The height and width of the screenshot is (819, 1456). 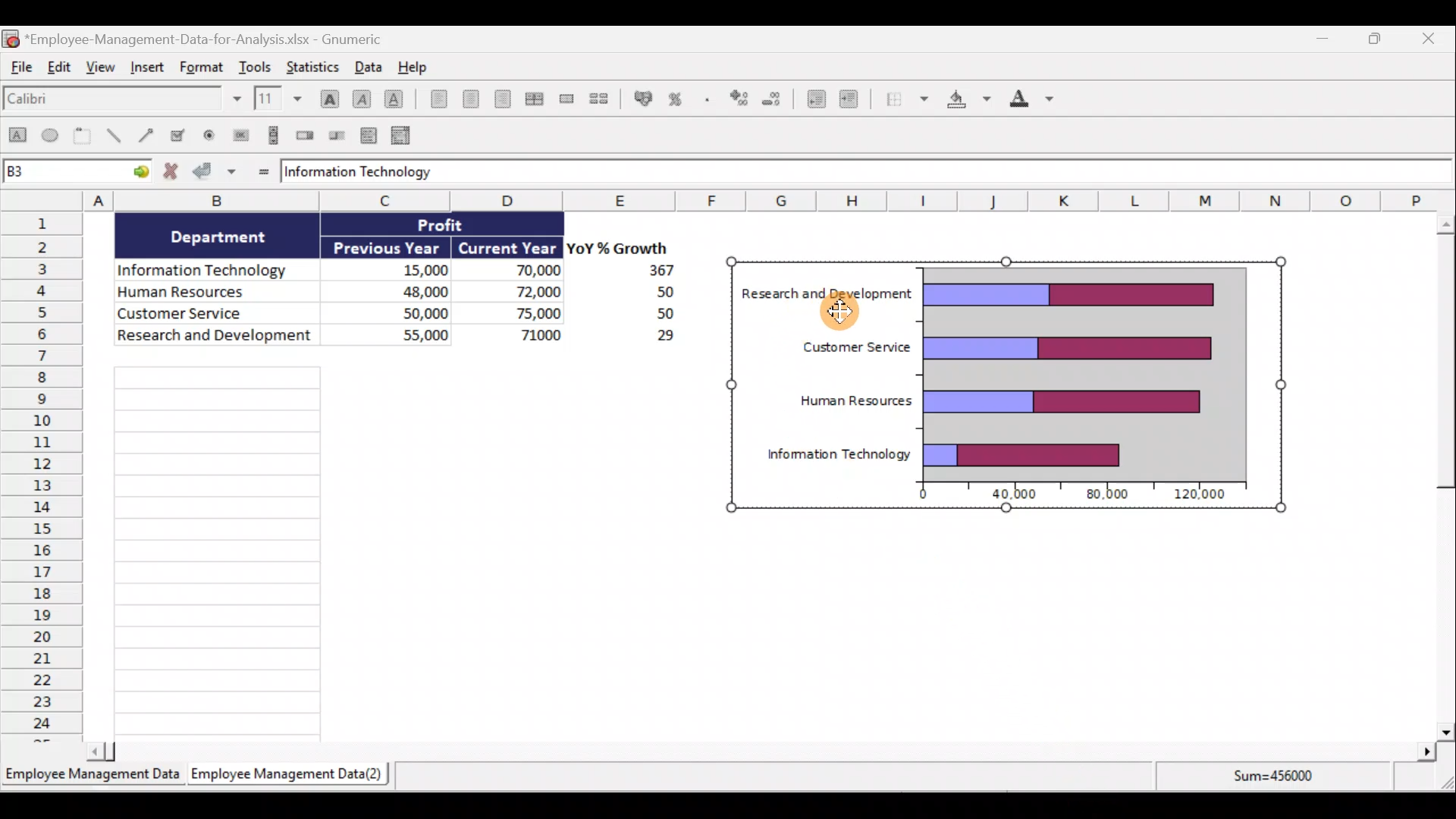 I want to click on Tools, so click(x=258, y=65).